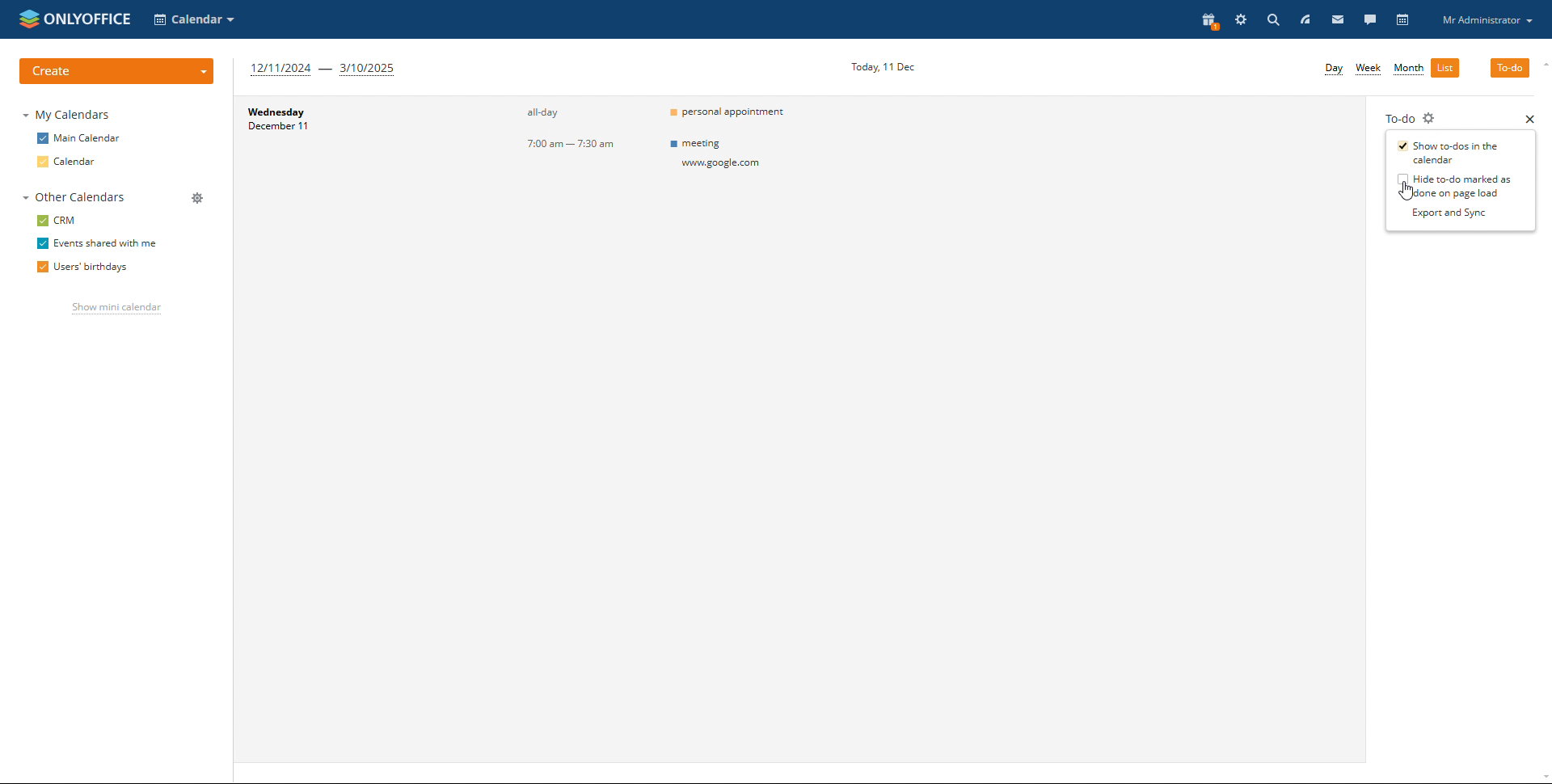  What do you see at coordinates (1408, 190) in the screenshot?
I see `cursor` at bounding box center [1408, 190].